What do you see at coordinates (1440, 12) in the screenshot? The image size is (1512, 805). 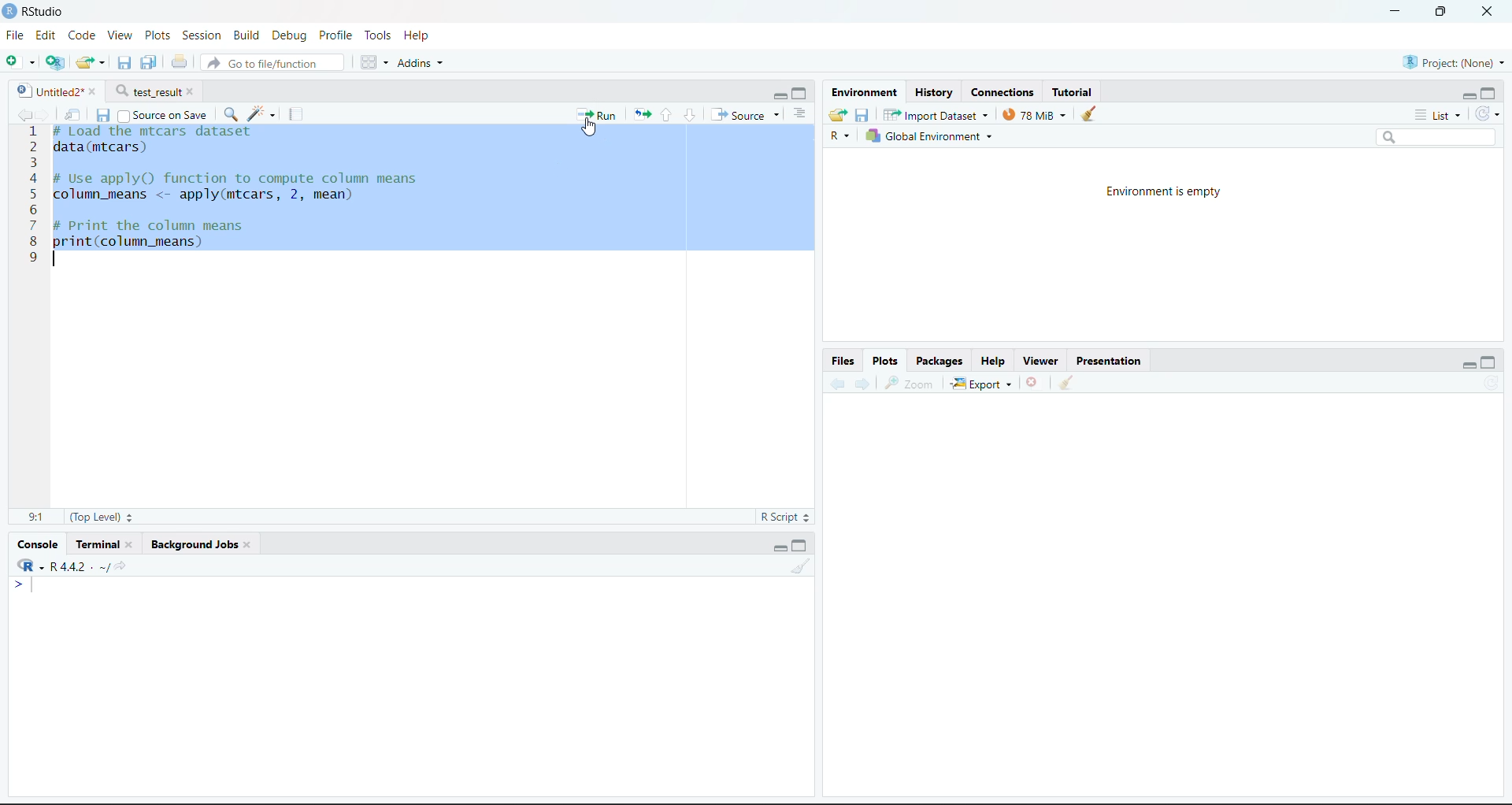 I see `Maximize` at bounding box center [1440, 12].